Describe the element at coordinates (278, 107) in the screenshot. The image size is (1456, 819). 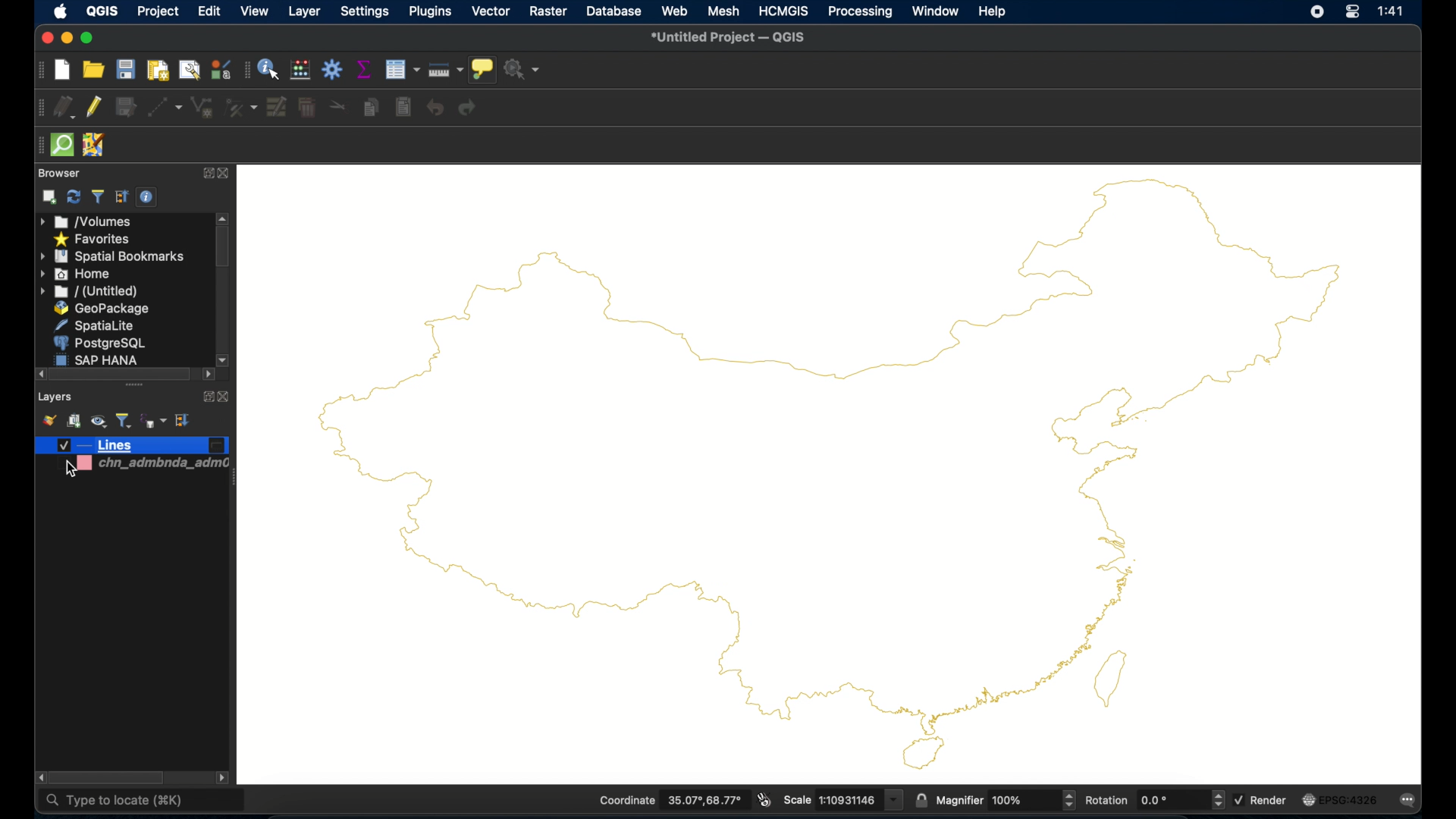
I see `modify attributes` at that location.